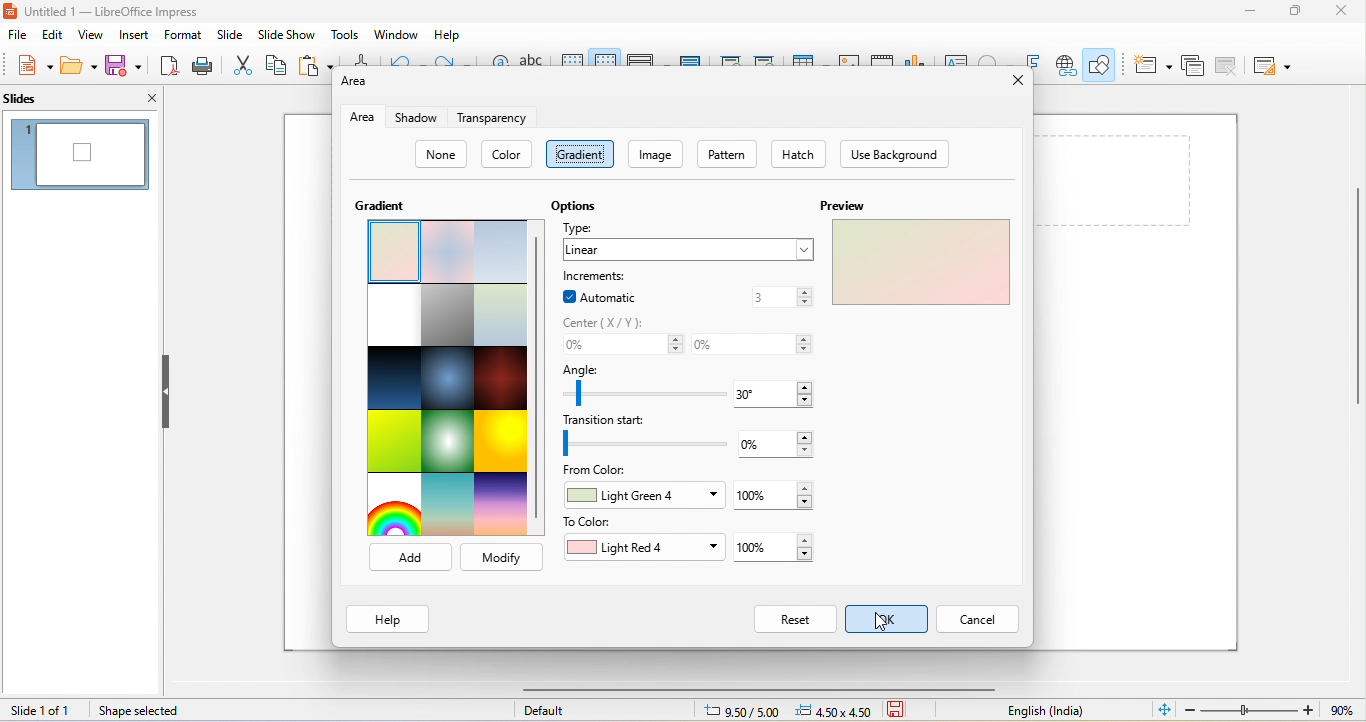 This screenshot has width=1366, height=722. I want to click on select transition start, so click(768, 444).